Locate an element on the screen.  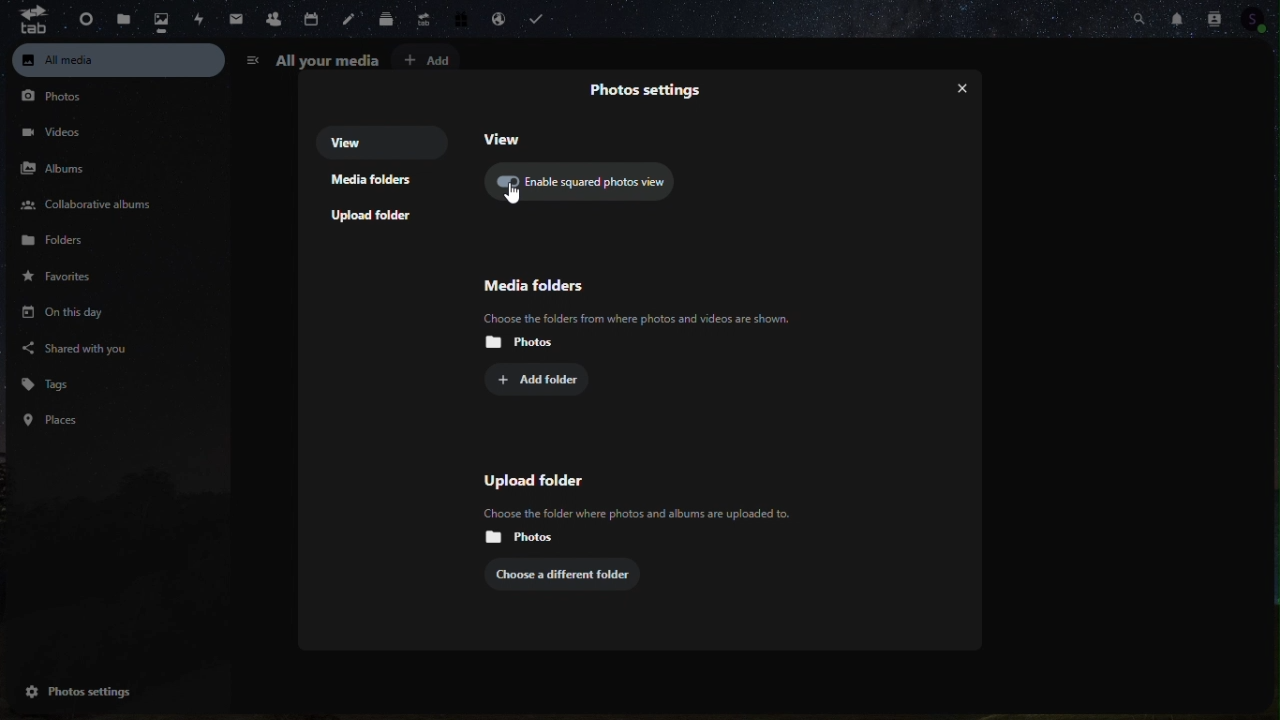
contacts is located at coordinates (271, 19).